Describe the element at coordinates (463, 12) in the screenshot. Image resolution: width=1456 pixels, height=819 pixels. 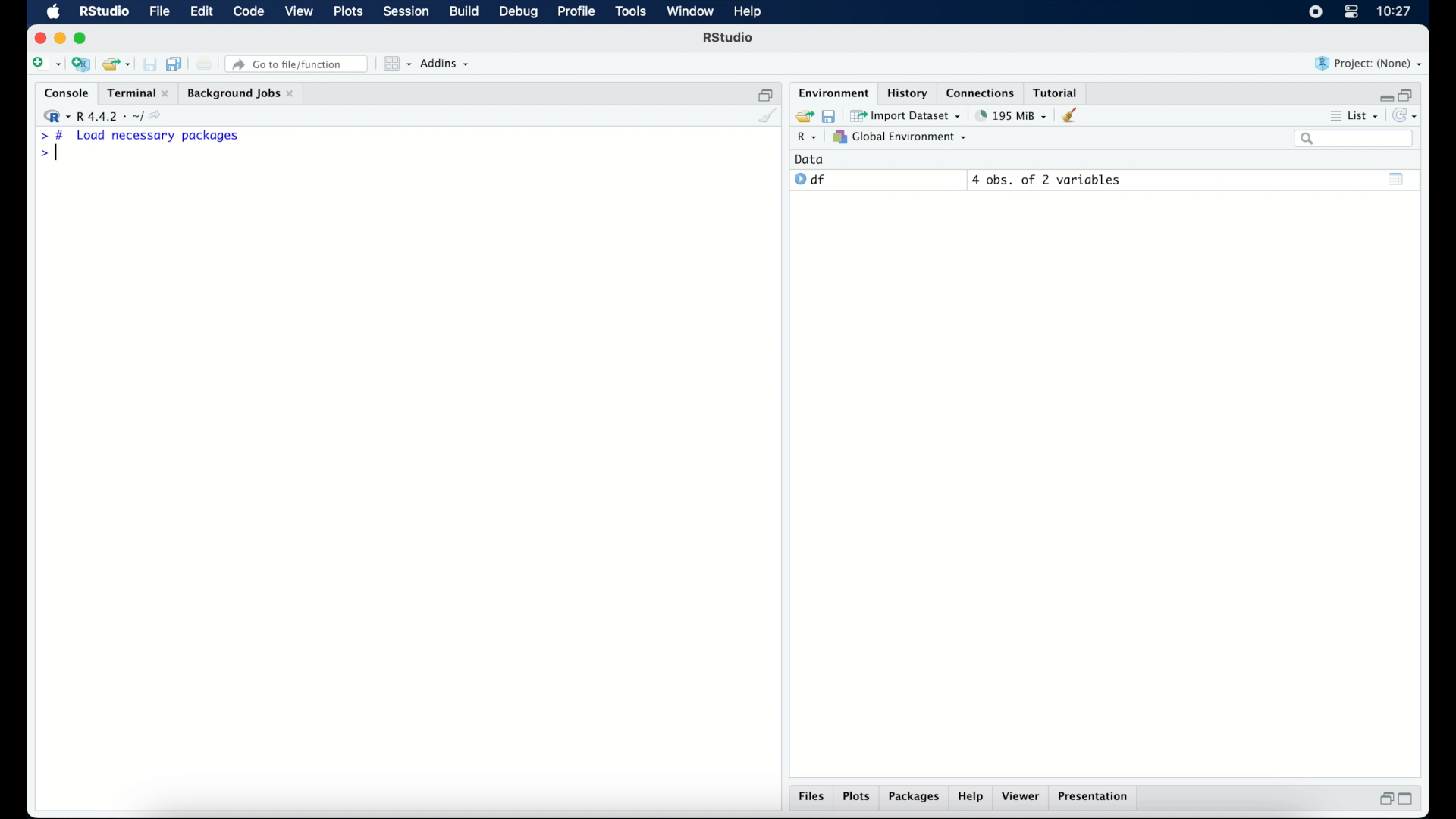
I see `build` at that location.